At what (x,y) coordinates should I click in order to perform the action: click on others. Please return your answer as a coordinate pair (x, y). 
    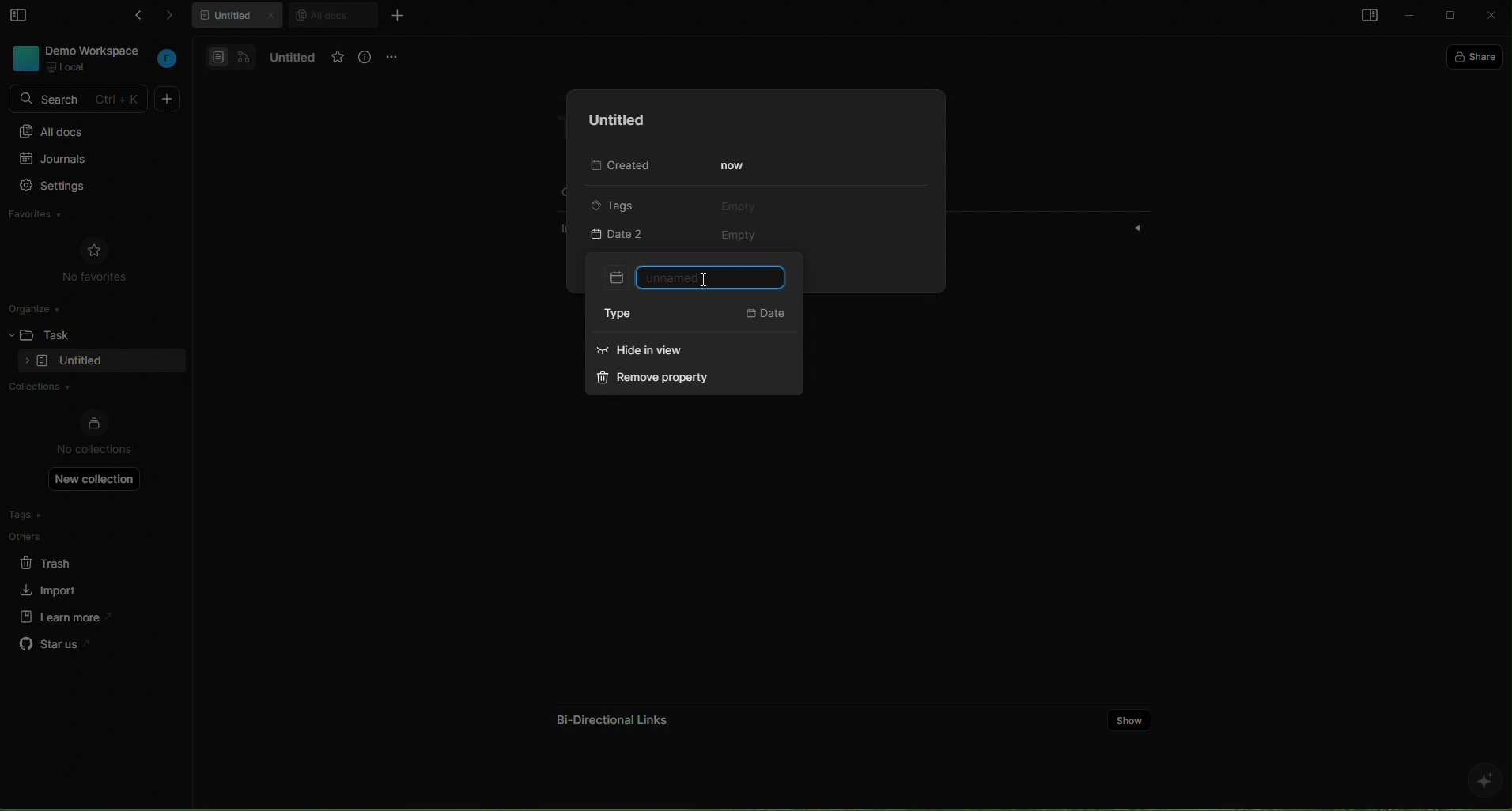
    Looking at the image, I should click on (59, 536).